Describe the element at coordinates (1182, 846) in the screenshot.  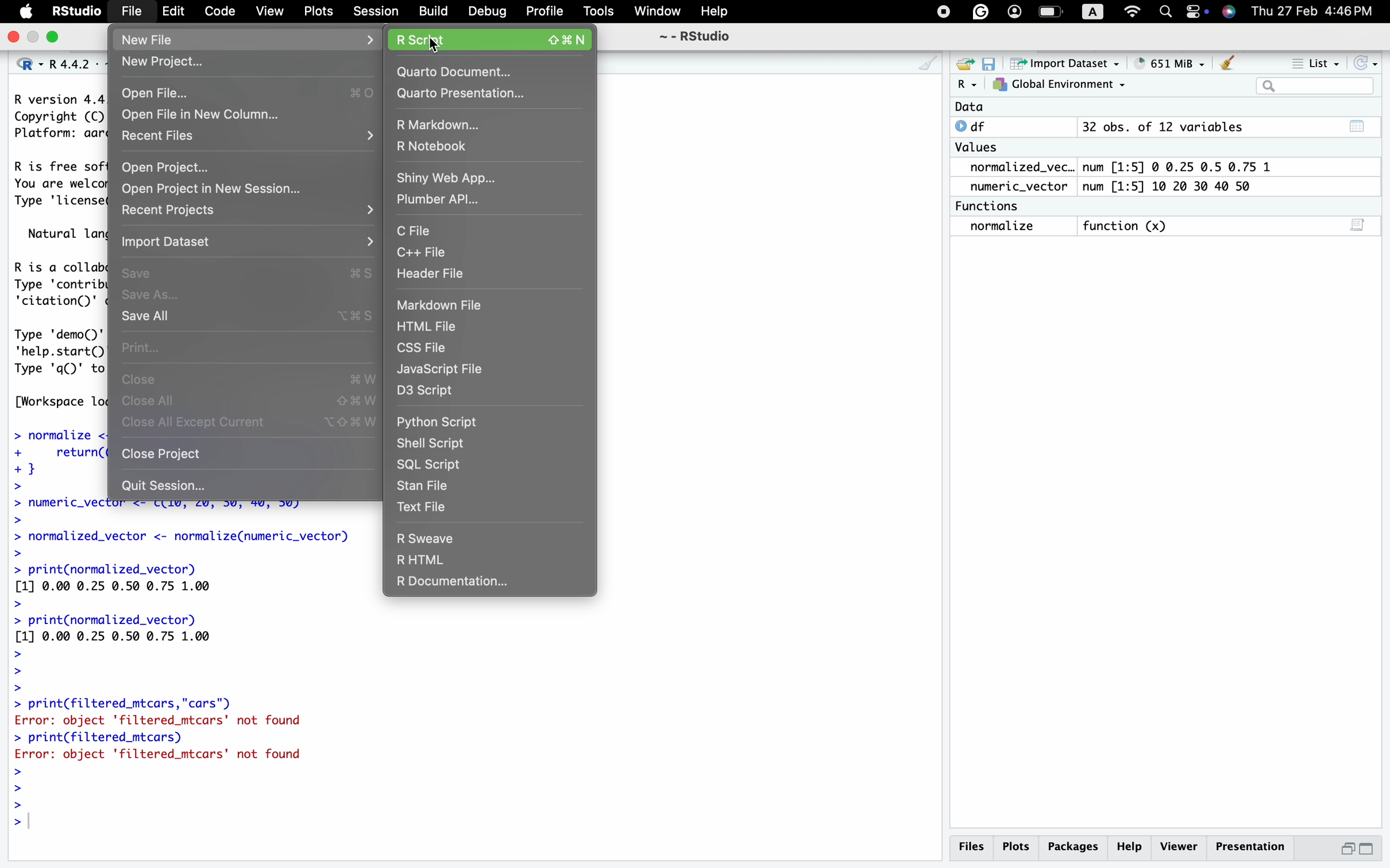
I see `p Viewer` at that location.